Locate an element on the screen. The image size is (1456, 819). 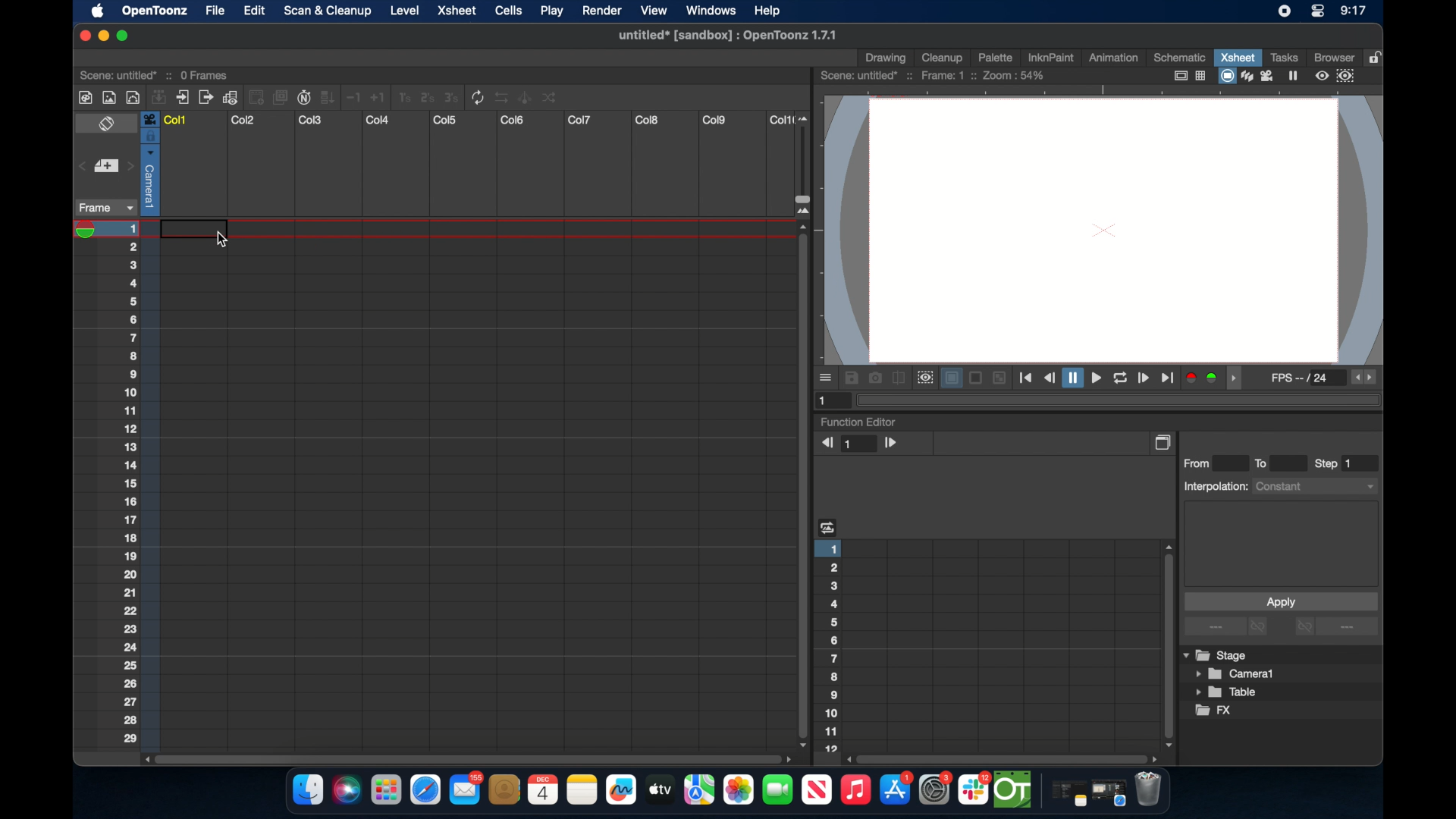
scroll box is located at coordinates (801, 485).